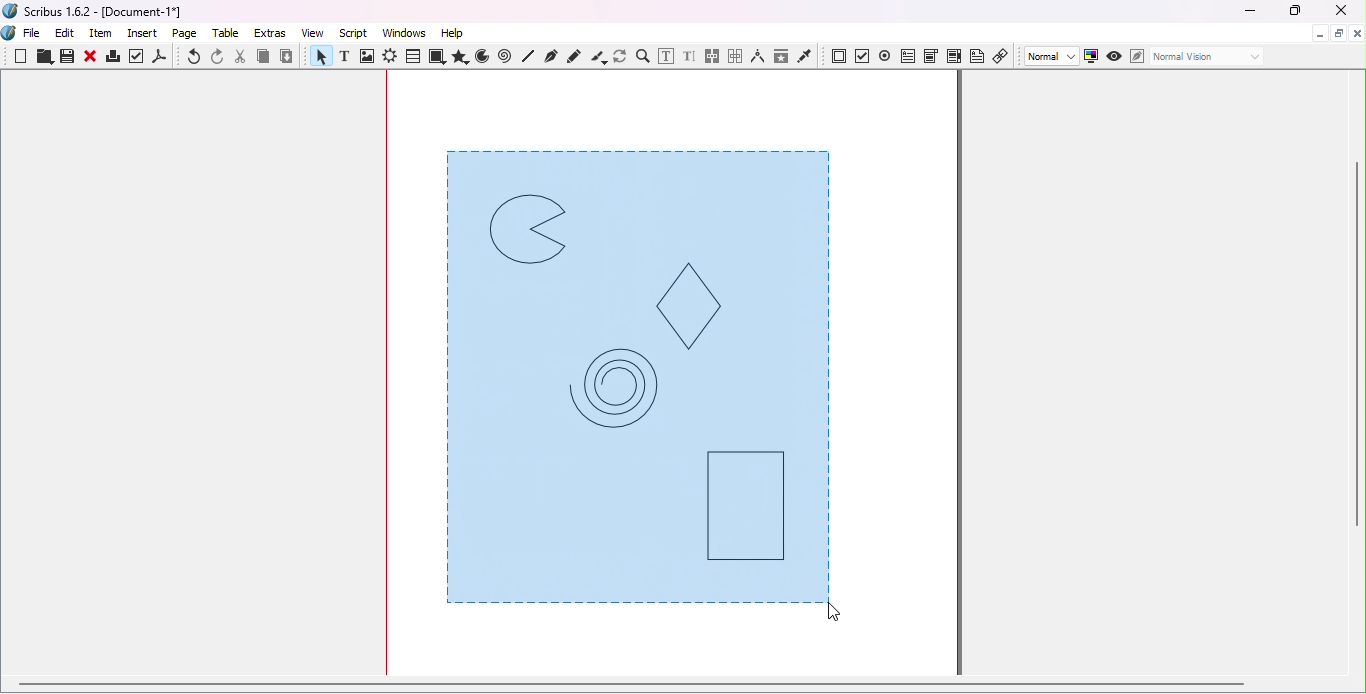  Describe the element at coordinates (642, 56) in the screenshot. I see `Zoom in or out` at that location.